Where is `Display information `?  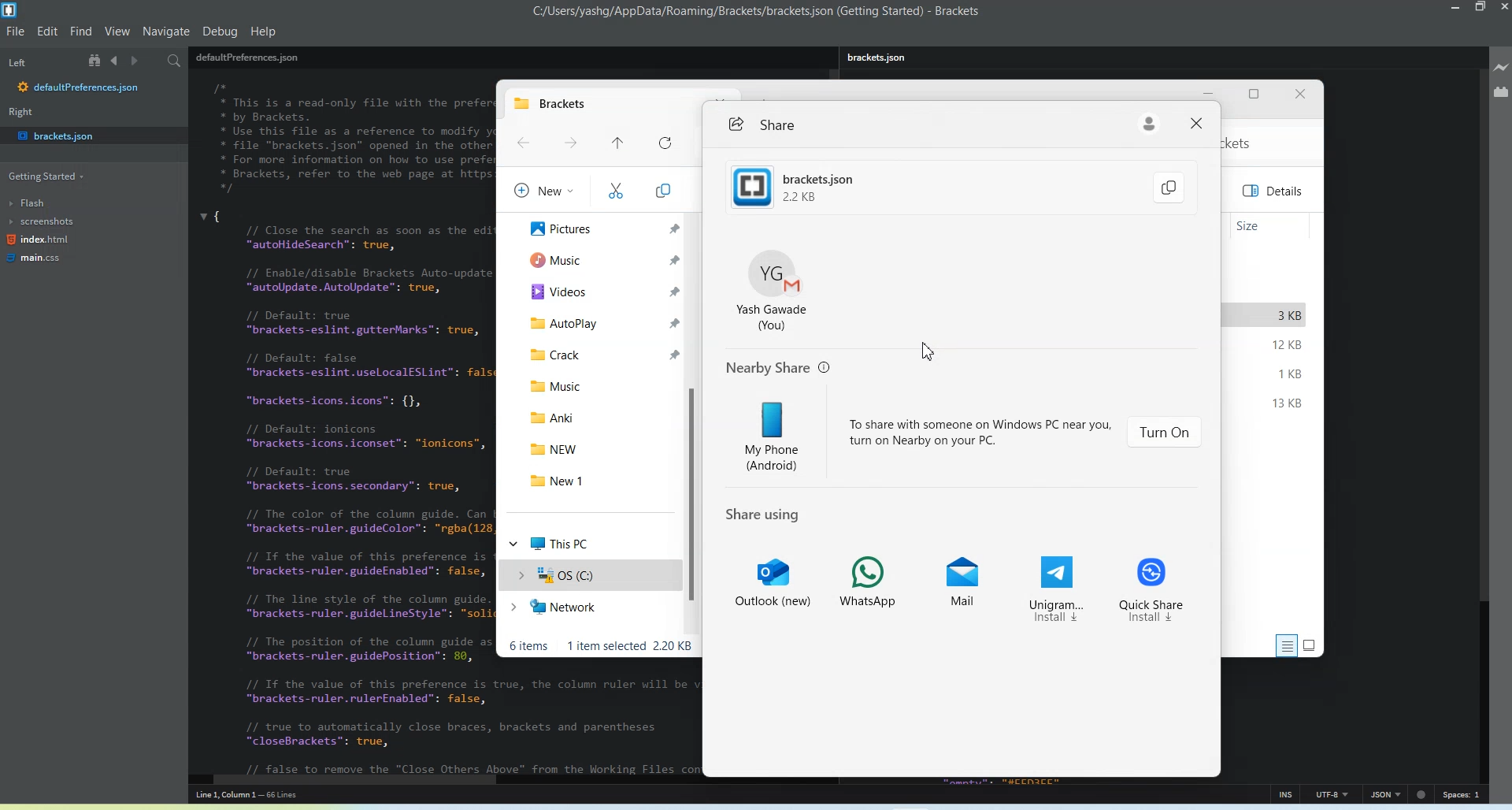
Display information  is located at coordinates (1286, 645).